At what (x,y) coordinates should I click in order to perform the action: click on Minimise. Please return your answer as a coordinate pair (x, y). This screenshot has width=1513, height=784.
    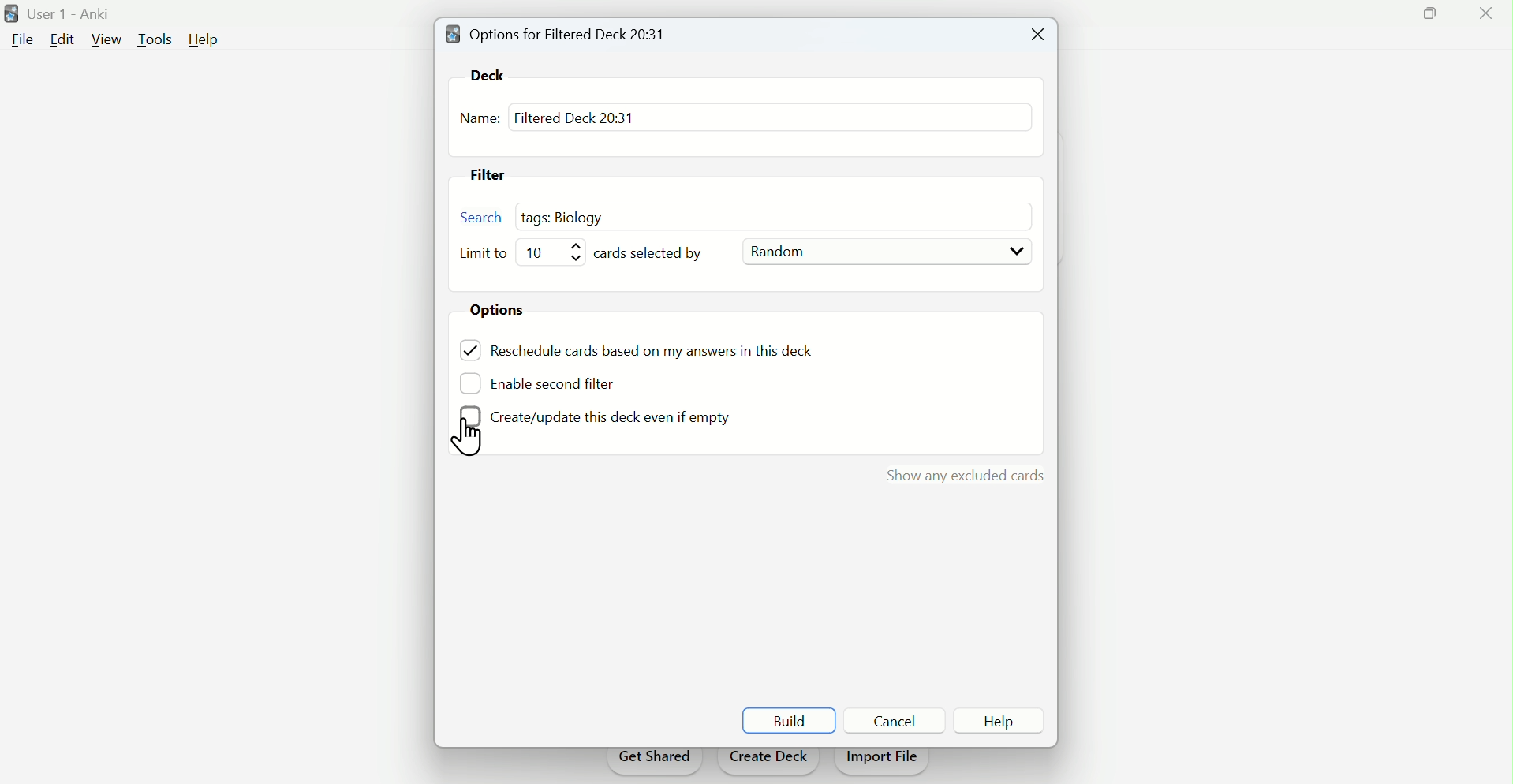
    Looking at the image, I should click on (1371, 22).